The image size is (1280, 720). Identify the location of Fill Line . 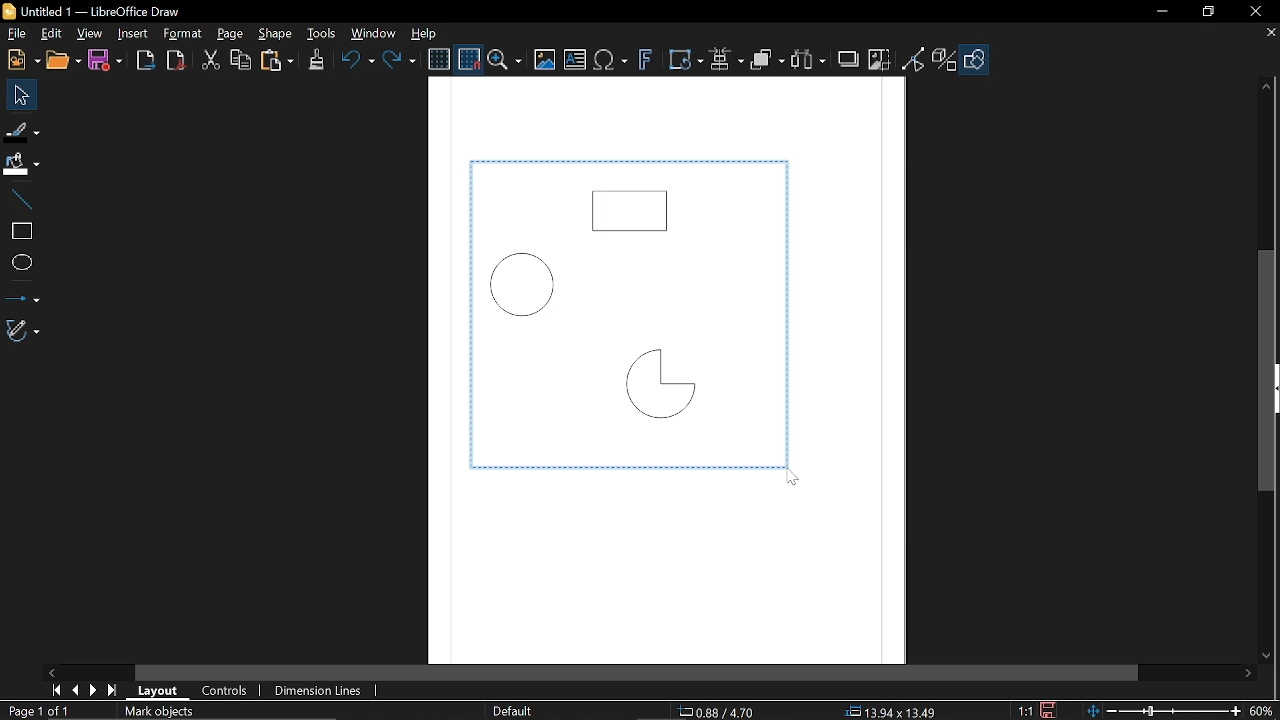
(22, 131).